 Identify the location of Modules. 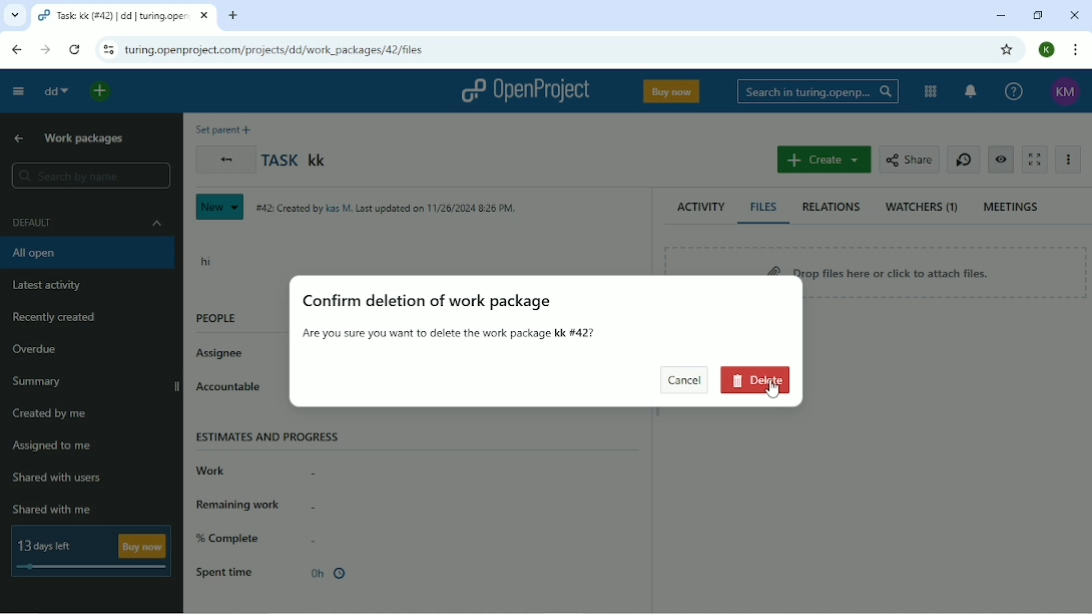
(931, 92).